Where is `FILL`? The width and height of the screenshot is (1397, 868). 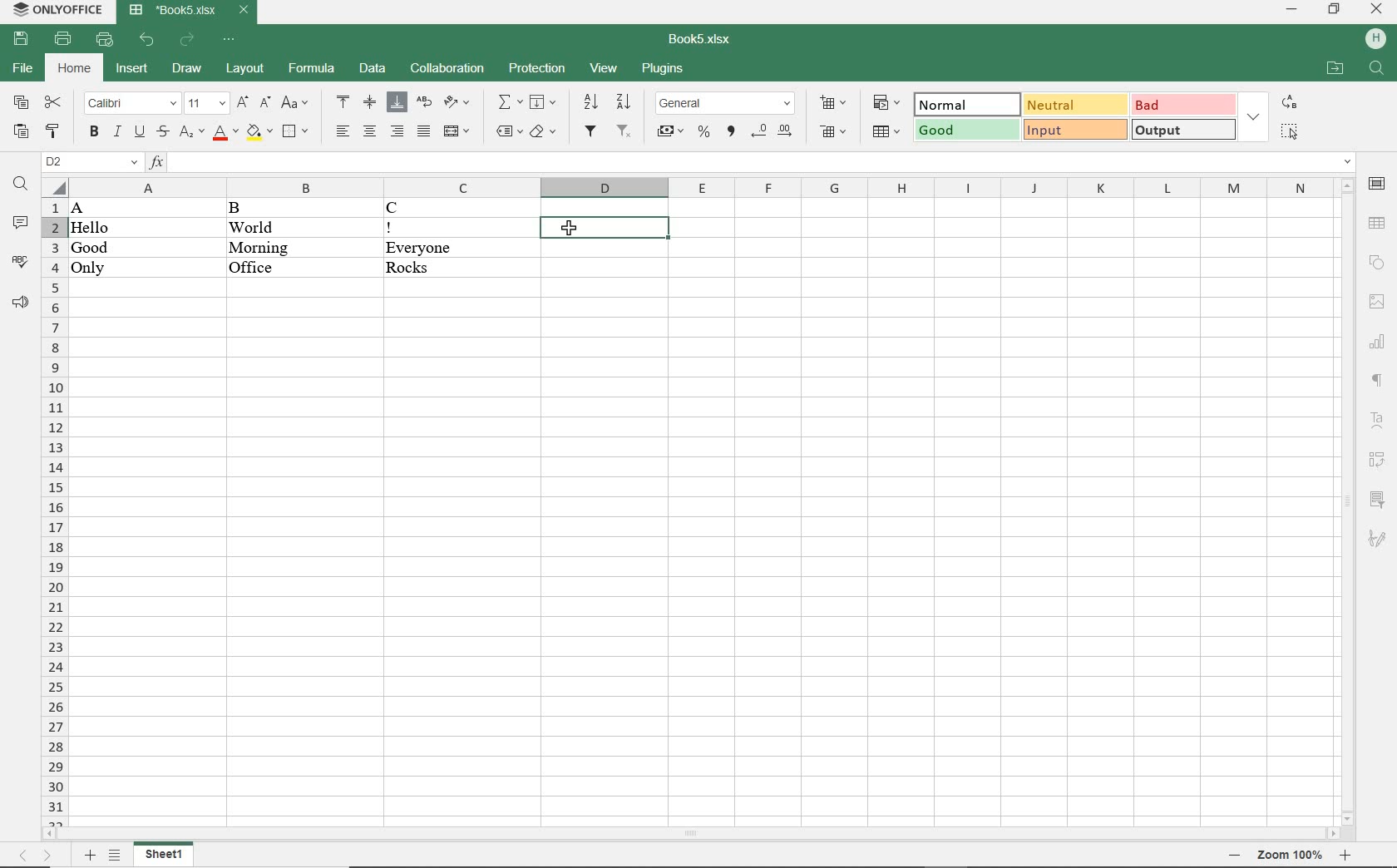
FILL is located at coordinates (545, 102).